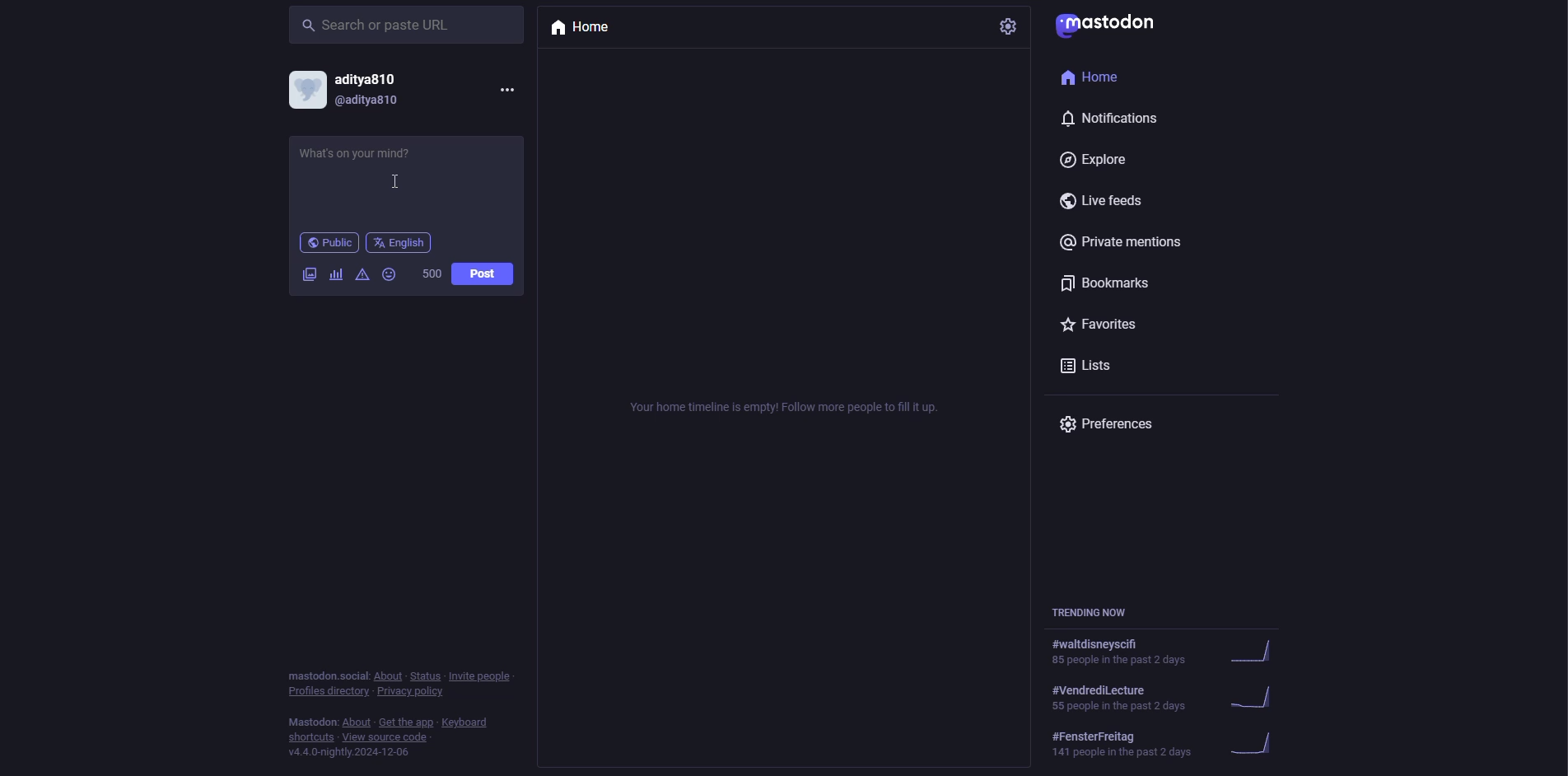 The width and height of the screenshot is (1568, 776). Describe the element at coordinates (363, 154) in the screenshot. I see `write` at that location.